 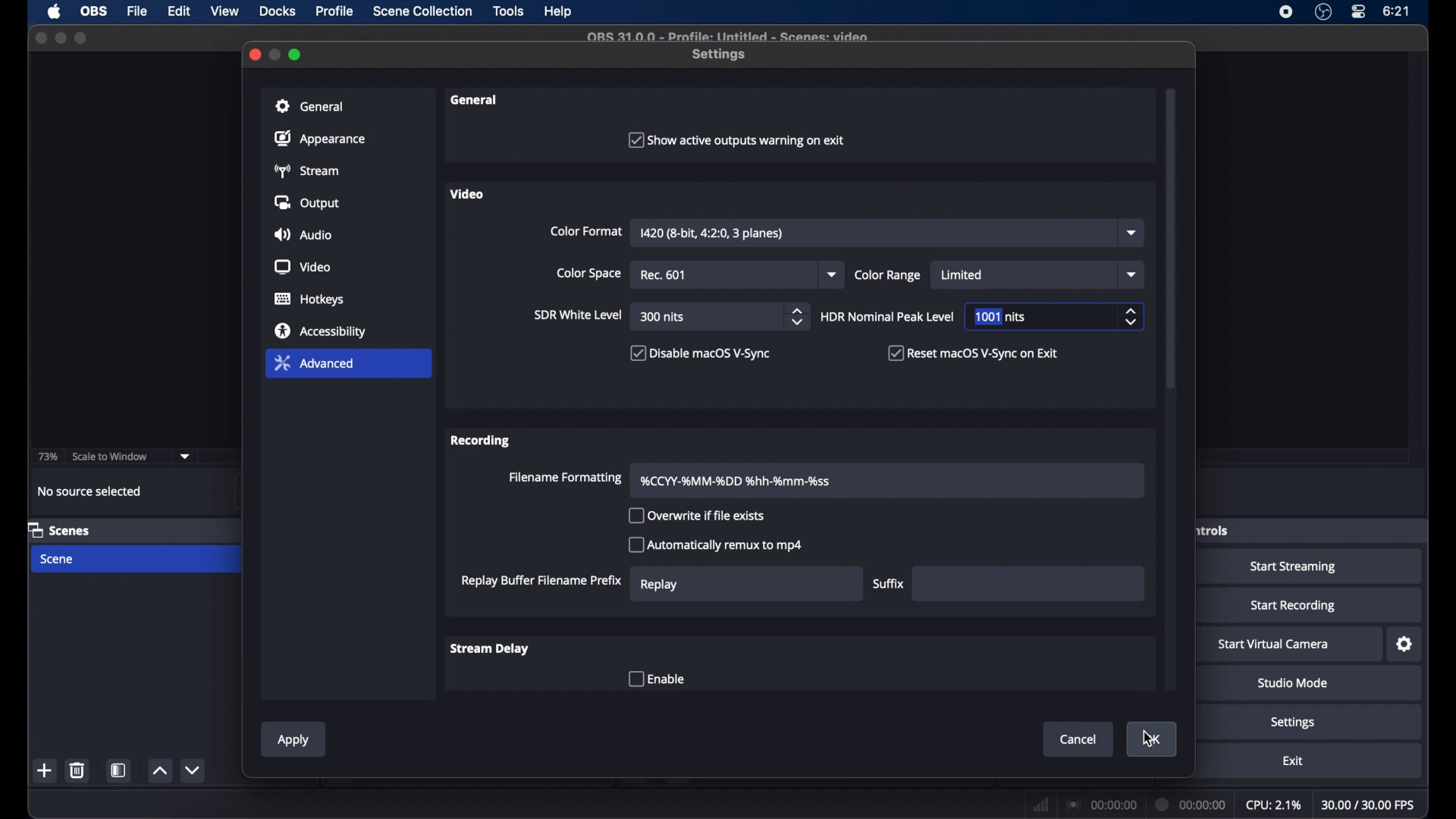 What do you see at coordinates (58, 529) in the screenshot?
I see `scenes` at bounding box center [58, 529].